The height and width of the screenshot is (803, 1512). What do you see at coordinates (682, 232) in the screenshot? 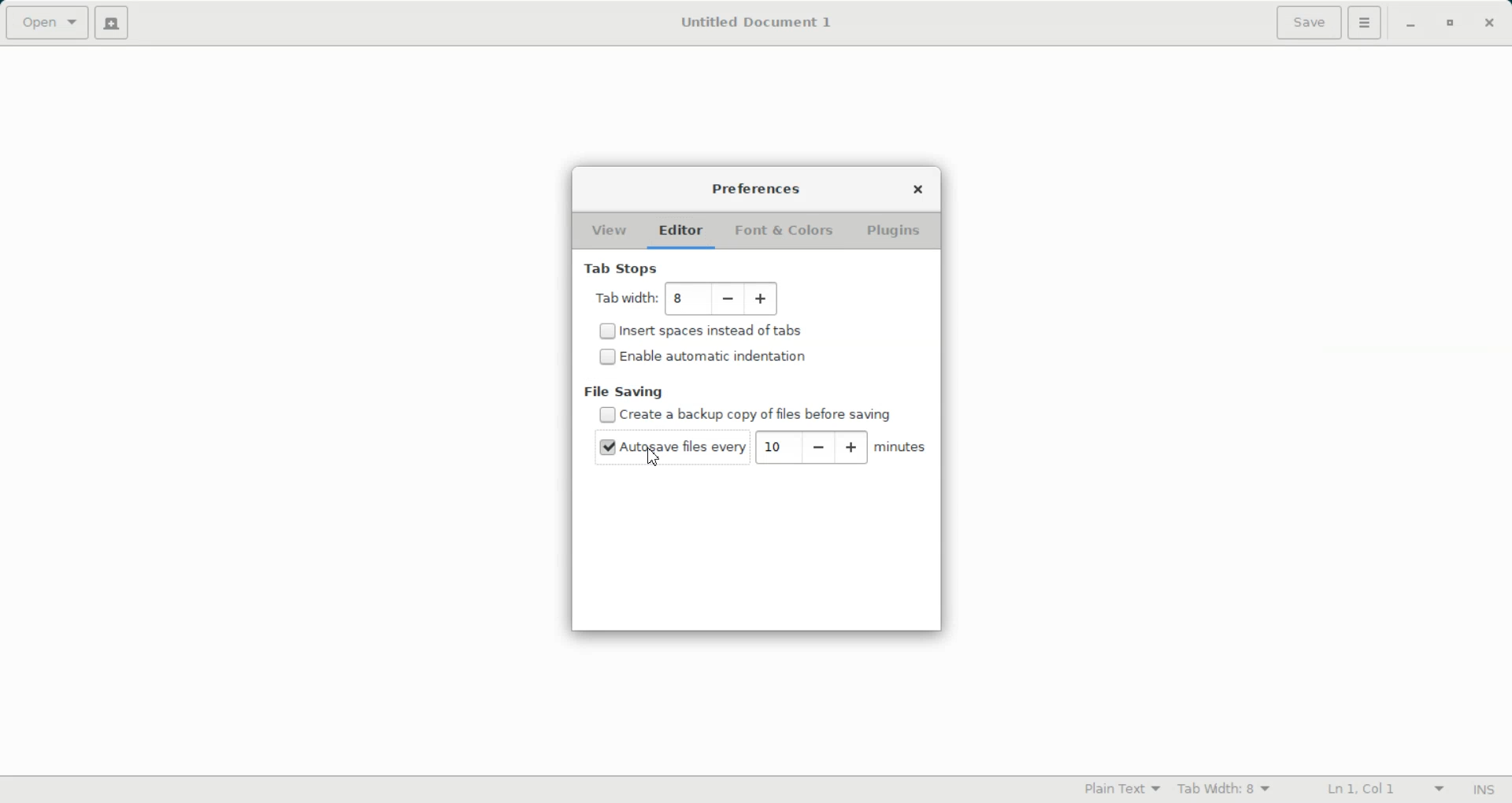
I see `Editor` at bounding box center [682, 232].